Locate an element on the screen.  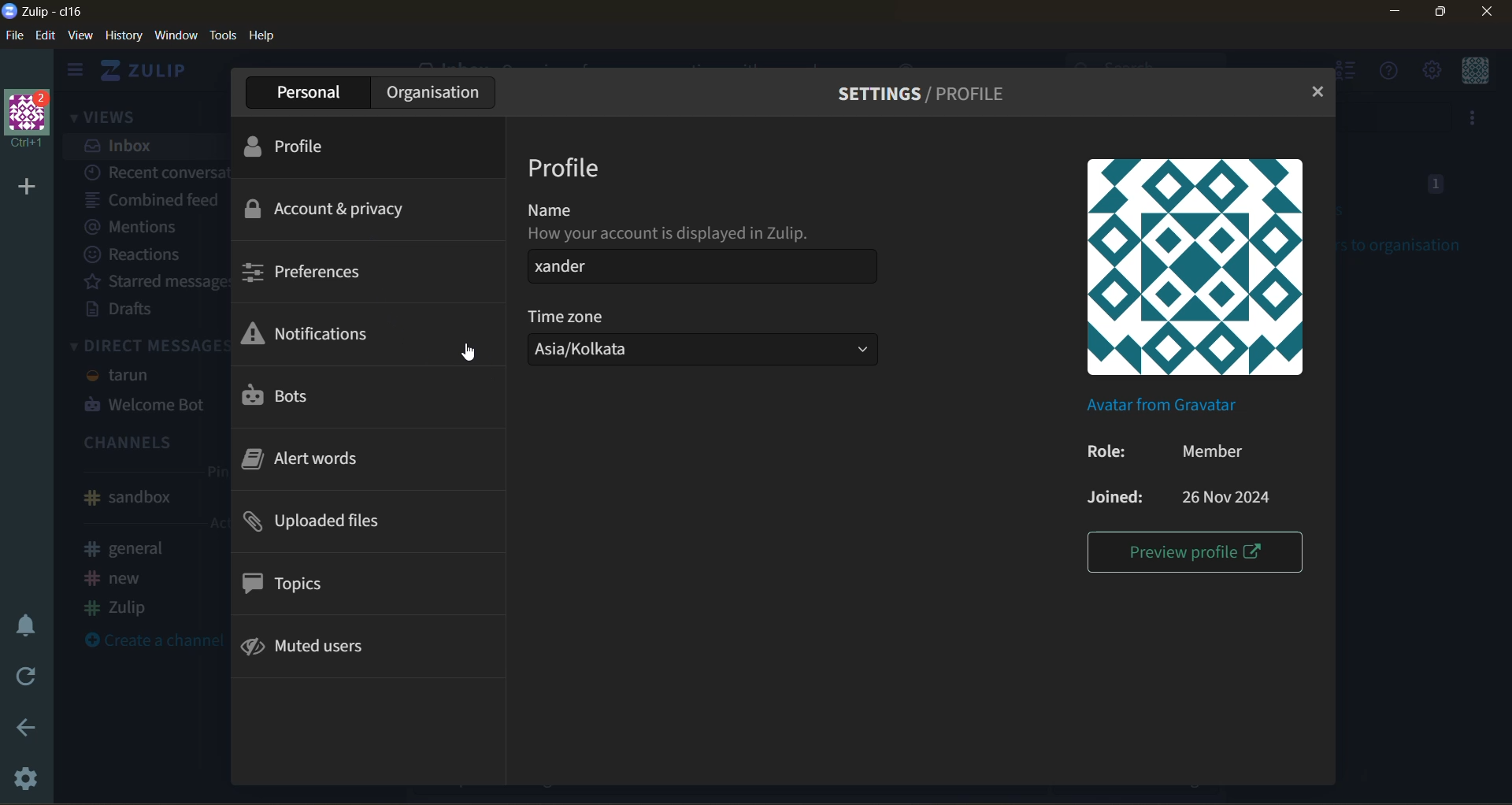
role is located at coordinates (1182, 455).